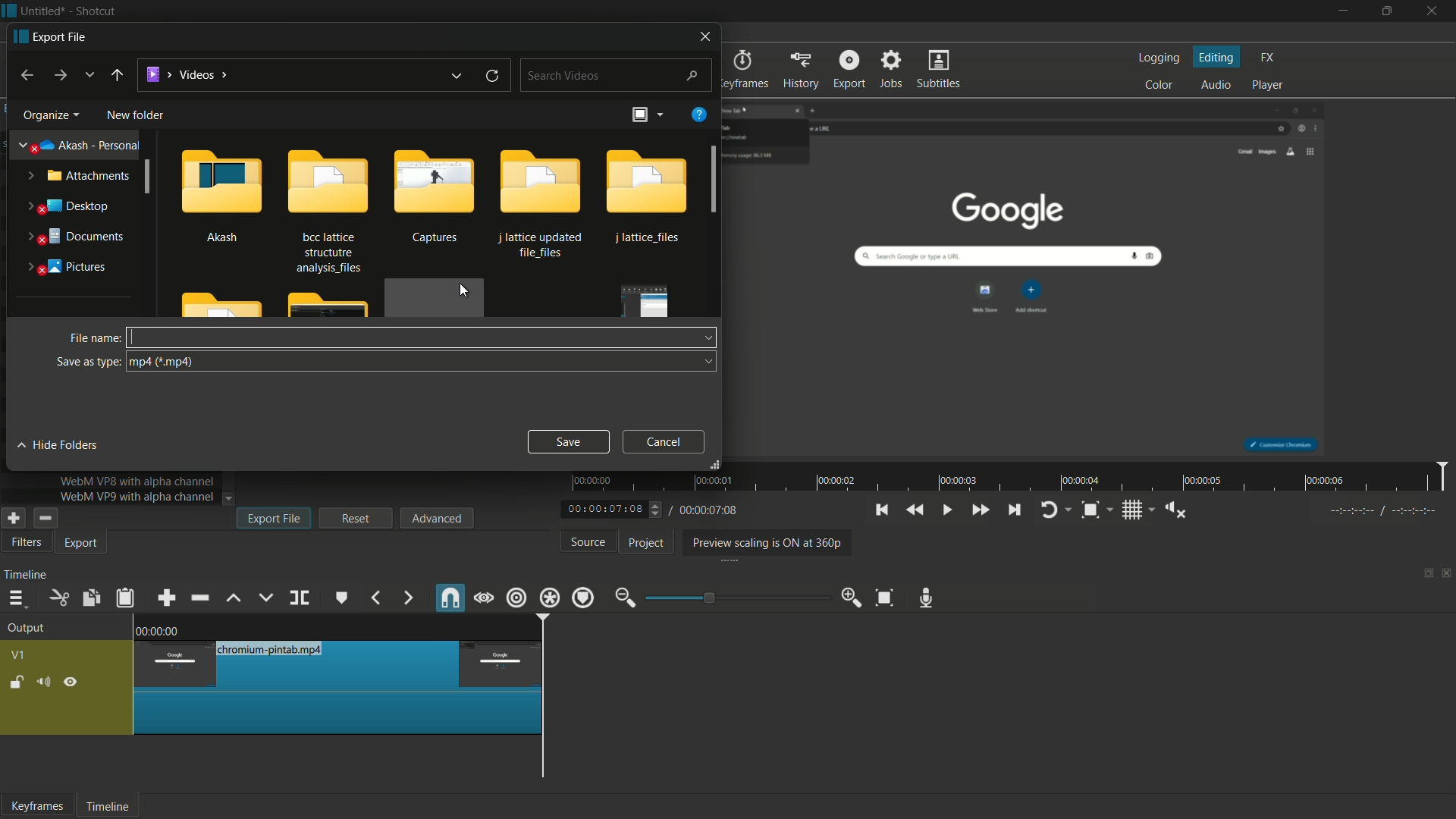 The height and width of the screenshot is (819, 1456). What do you see at coordinates (492, 77) in the screenshot?
I see `refresh` at bounding box center [492, 77].